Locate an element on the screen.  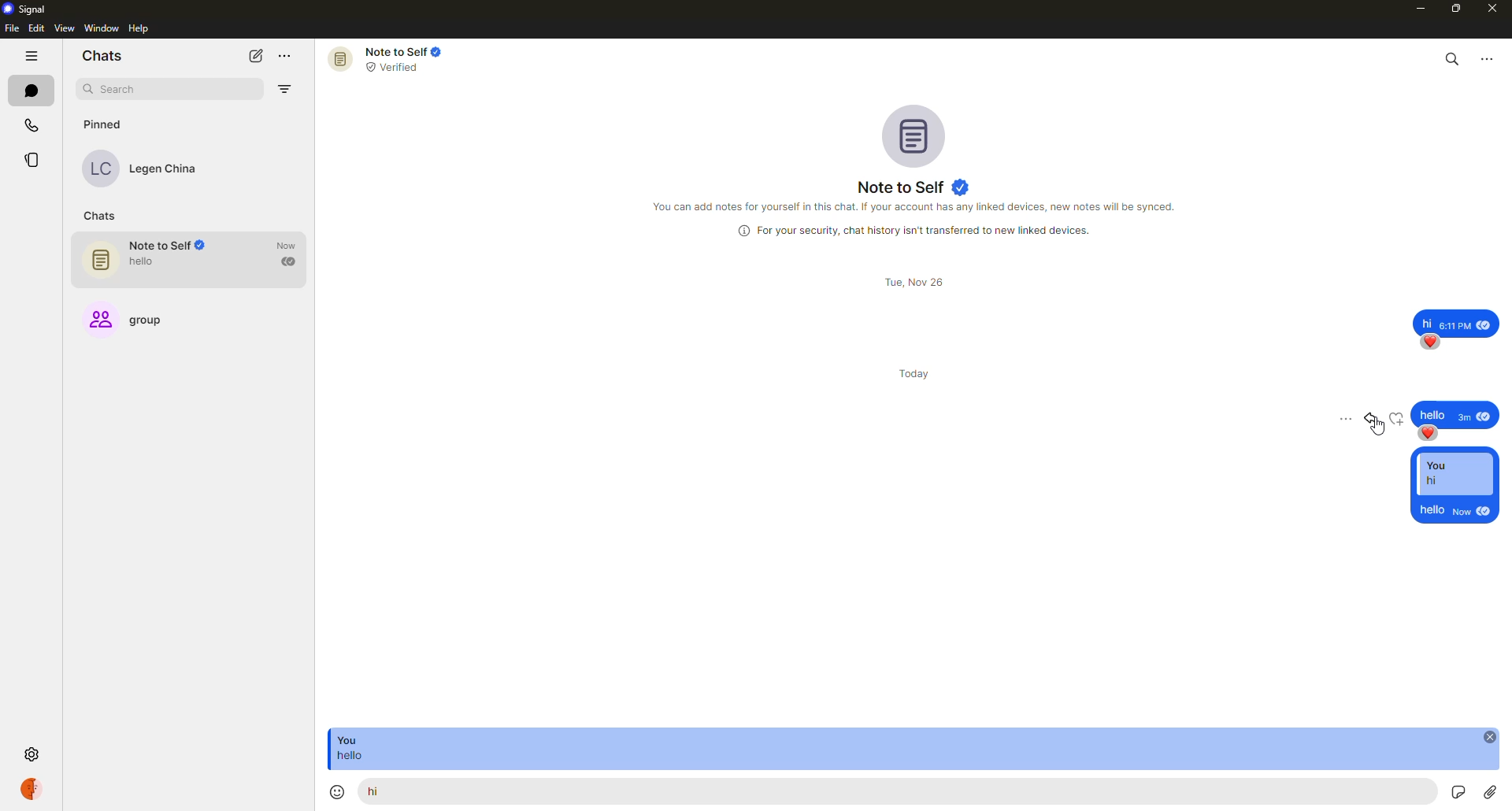
close is located at coordinates (1491, 735).